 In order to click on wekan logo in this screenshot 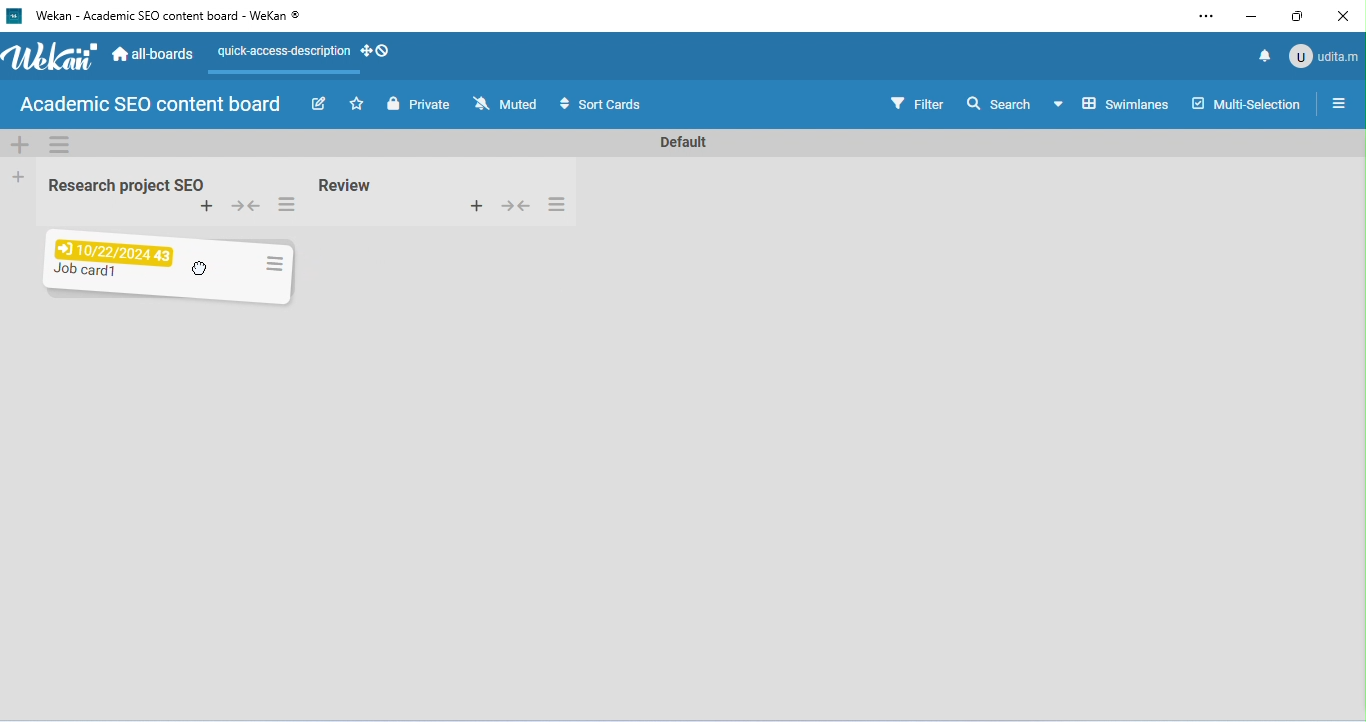, I will do `click(13, 17)`.